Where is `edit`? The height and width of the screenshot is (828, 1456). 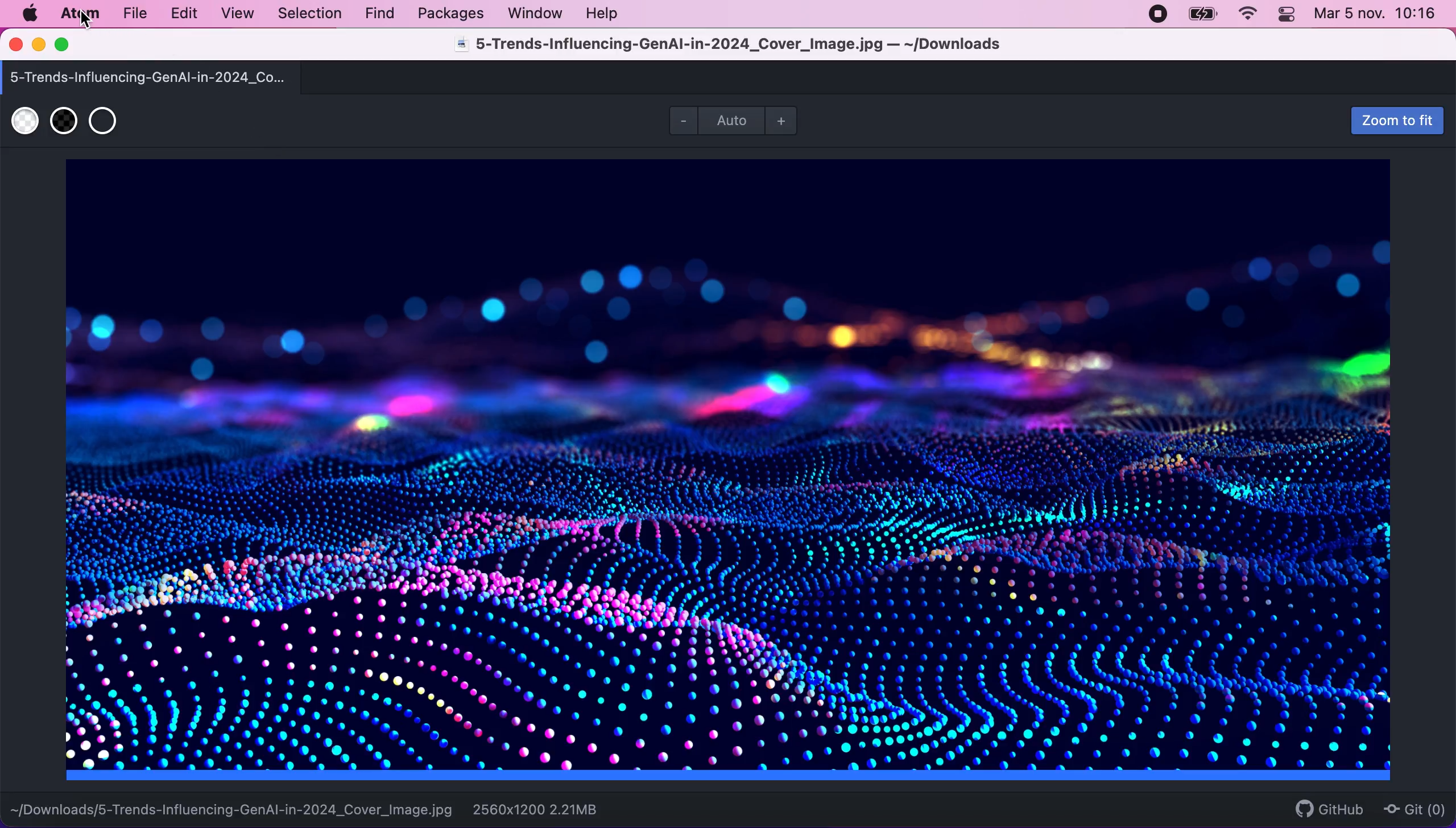
edit is located at coordinates (183, 14).